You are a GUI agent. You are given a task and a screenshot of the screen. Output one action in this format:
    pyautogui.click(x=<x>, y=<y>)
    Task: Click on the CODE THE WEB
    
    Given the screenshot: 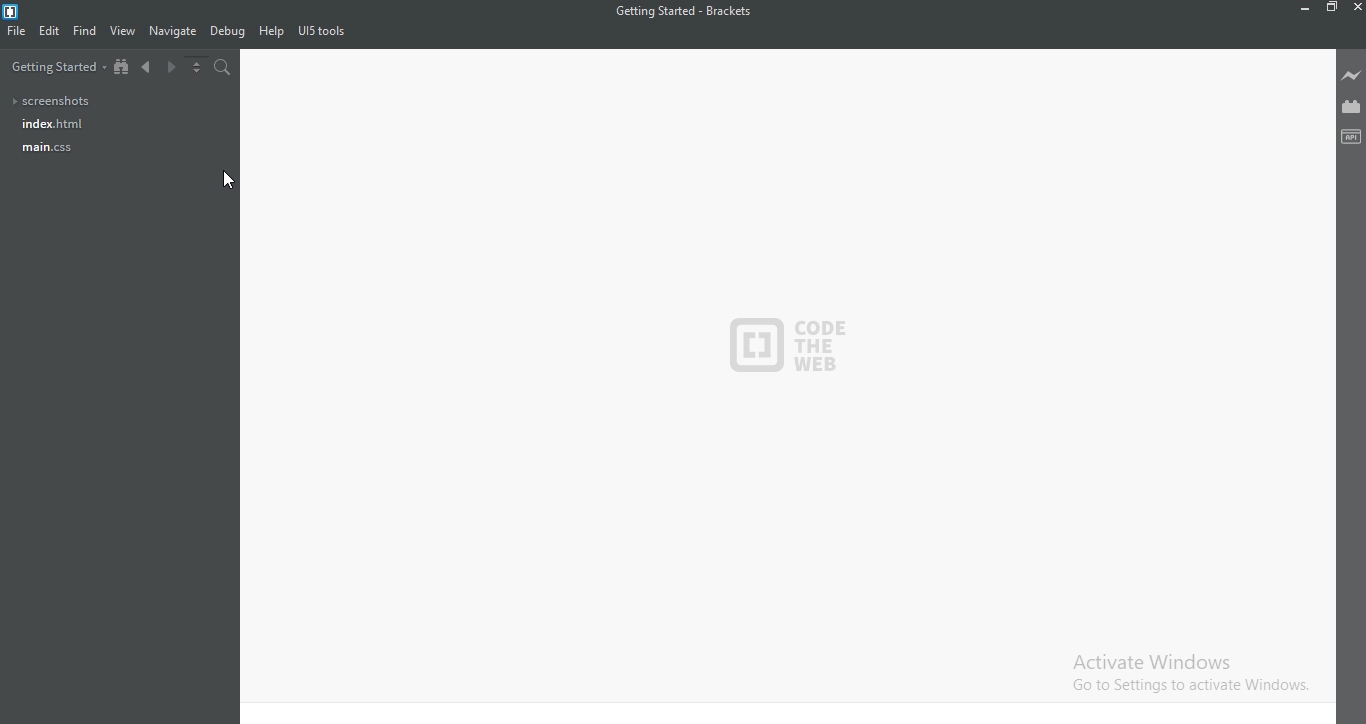 What is the action you would take?
    pyautogui.click(x=794, y=338)
    